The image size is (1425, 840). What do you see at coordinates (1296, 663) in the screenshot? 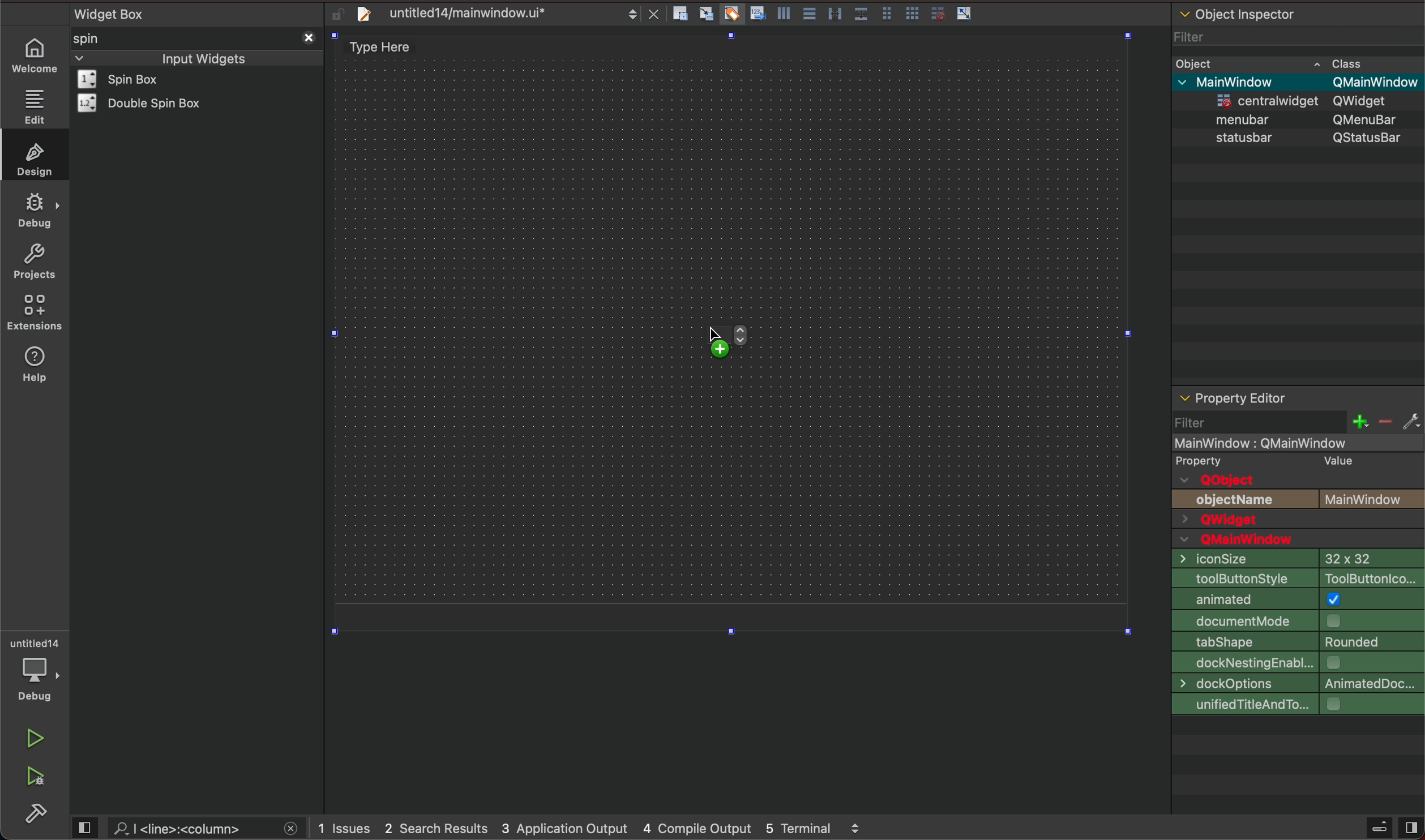
I see `dock` at bounding box center [1296, 663].